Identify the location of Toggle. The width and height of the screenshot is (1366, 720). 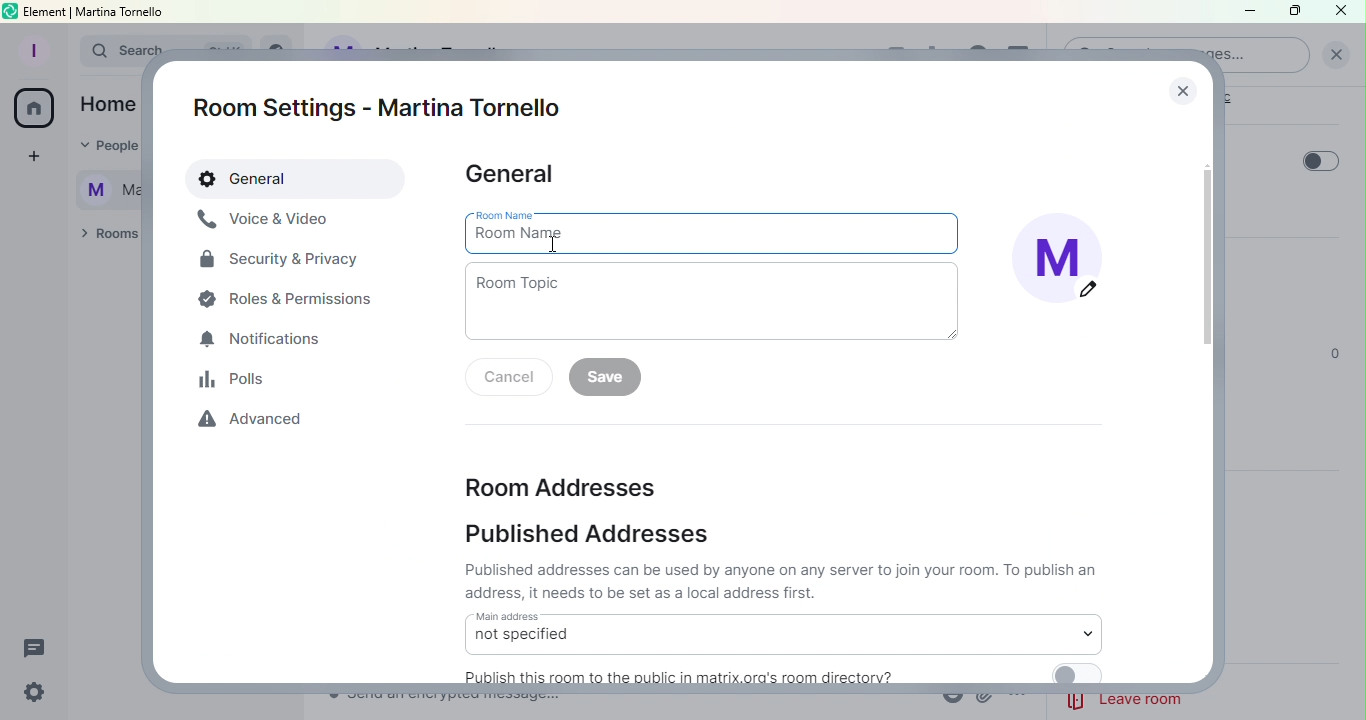
(1321, 161).